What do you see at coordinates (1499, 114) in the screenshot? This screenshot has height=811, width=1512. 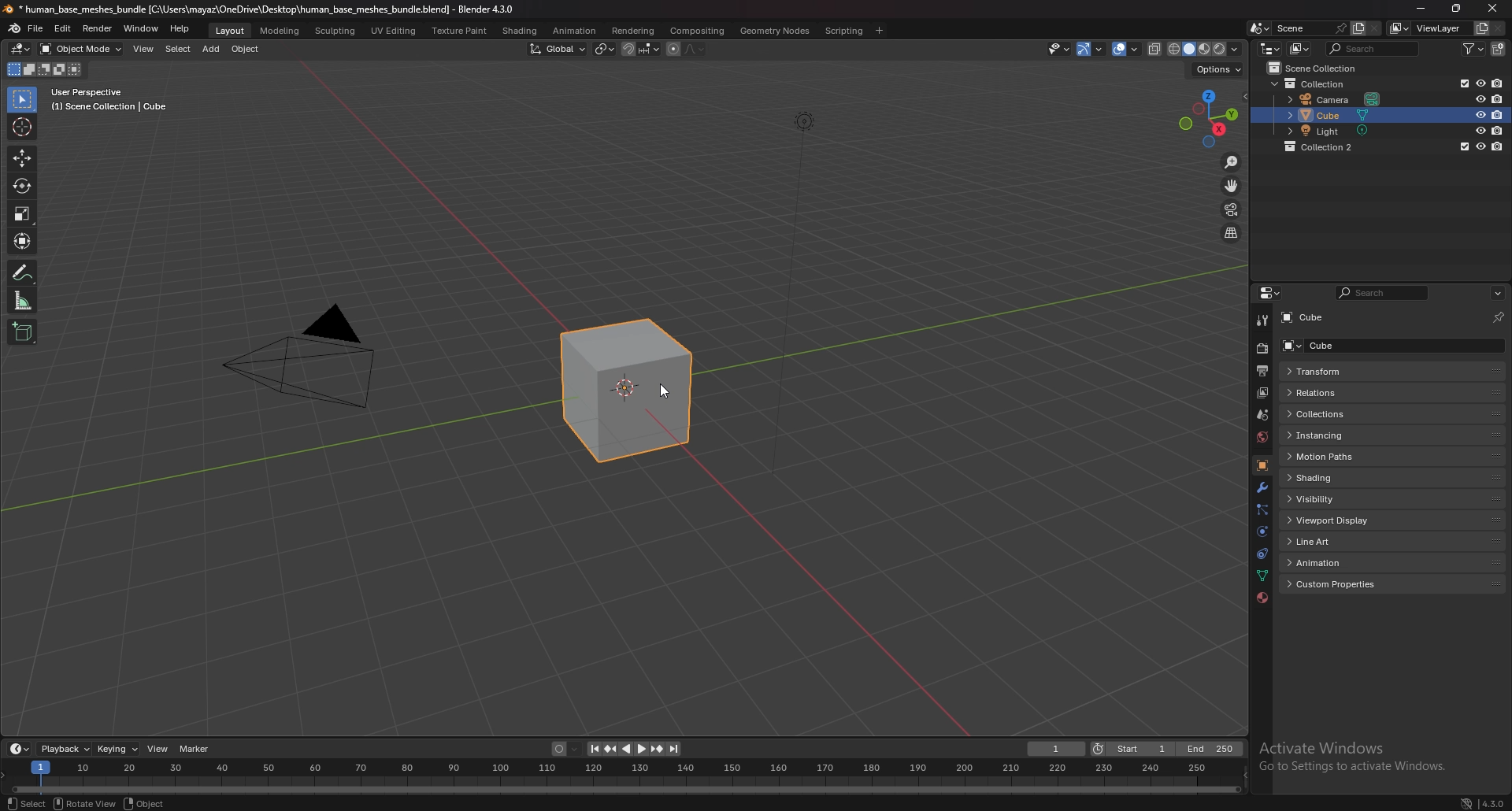 I see `disable in renders` at bounding box center [1499, 114].